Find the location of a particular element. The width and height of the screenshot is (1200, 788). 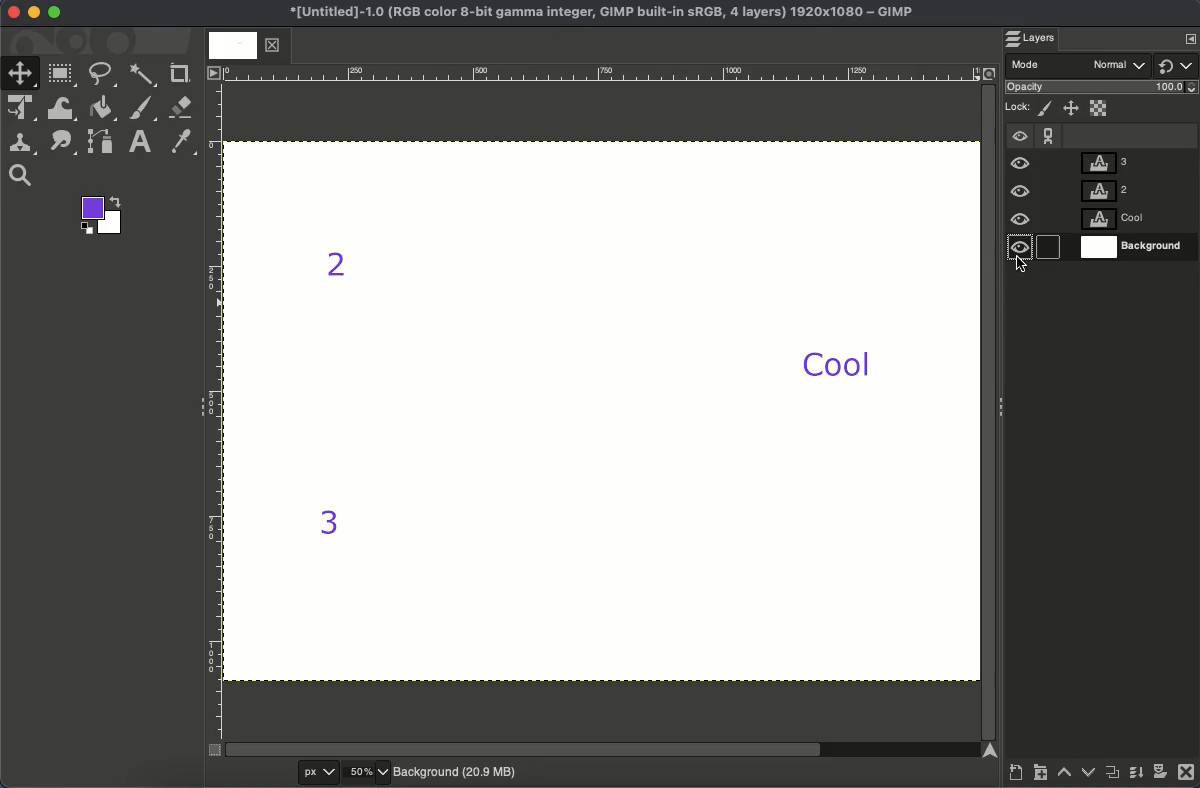

Menu is located at coordinates (1192, 37).